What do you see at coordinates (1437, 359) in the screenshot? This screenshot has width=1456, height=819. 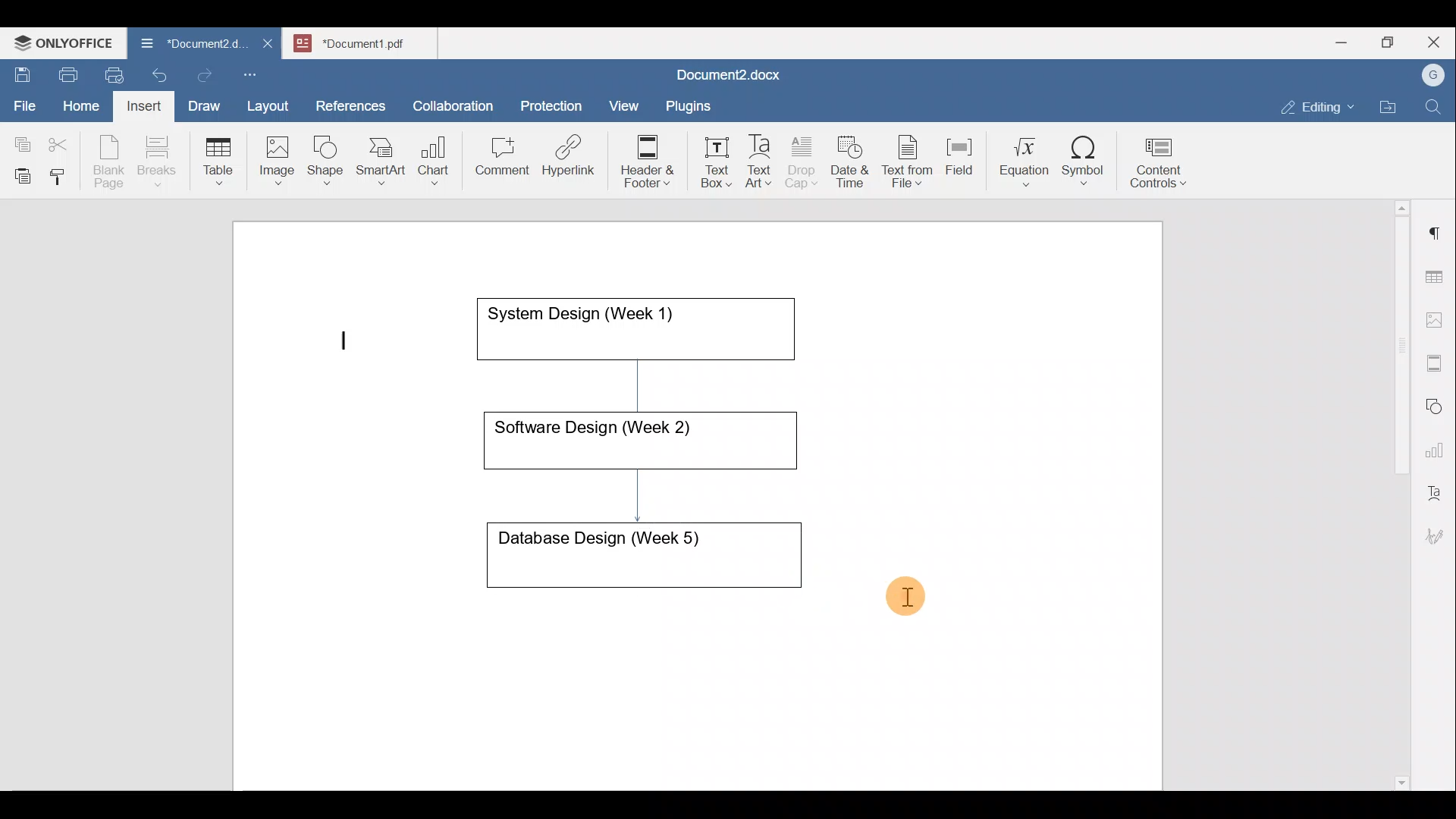 I see `Headers & footers` at bounding box center [1437, 359].